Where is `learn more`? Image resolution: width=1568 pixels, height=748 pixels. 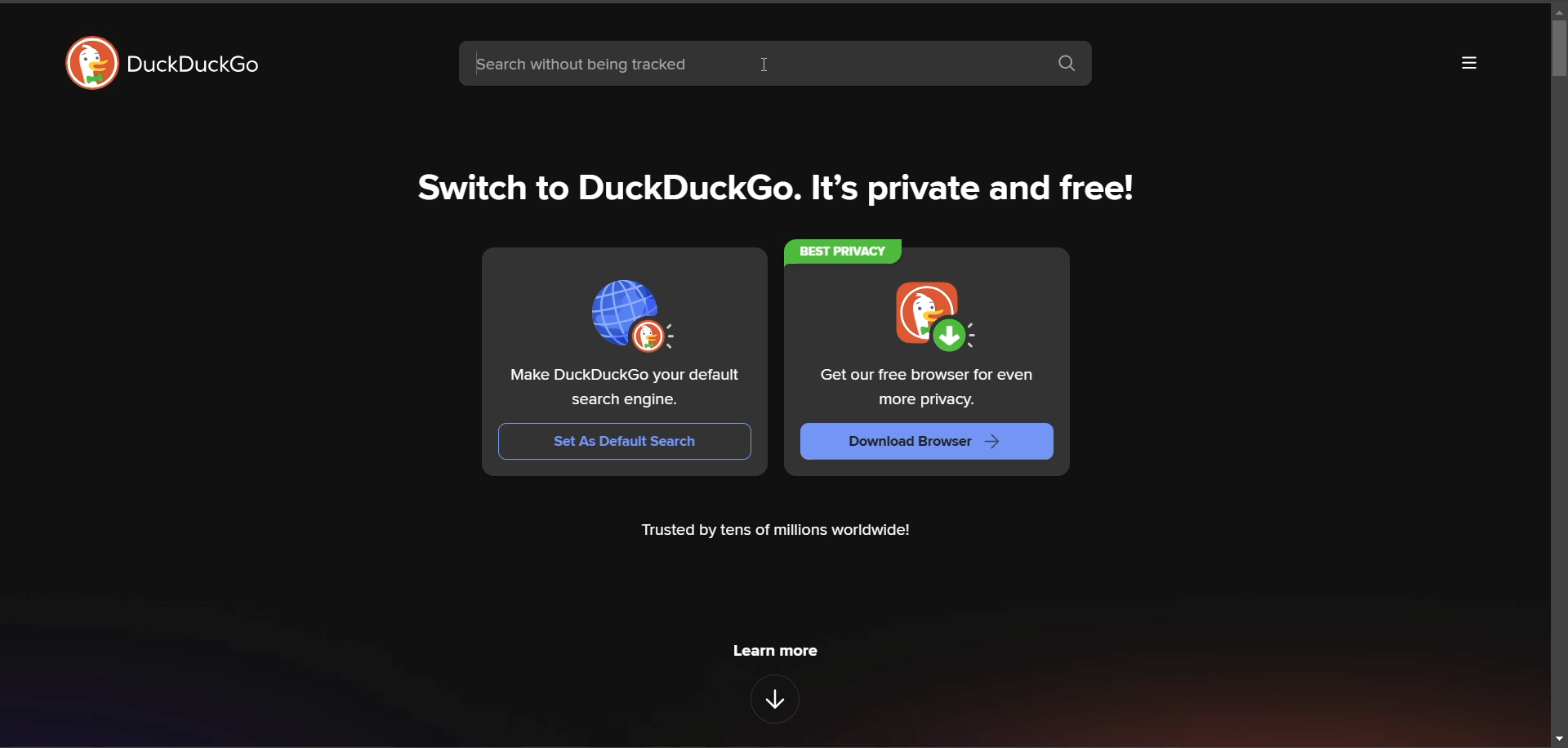
learn more is located at coordinates (776, 652).